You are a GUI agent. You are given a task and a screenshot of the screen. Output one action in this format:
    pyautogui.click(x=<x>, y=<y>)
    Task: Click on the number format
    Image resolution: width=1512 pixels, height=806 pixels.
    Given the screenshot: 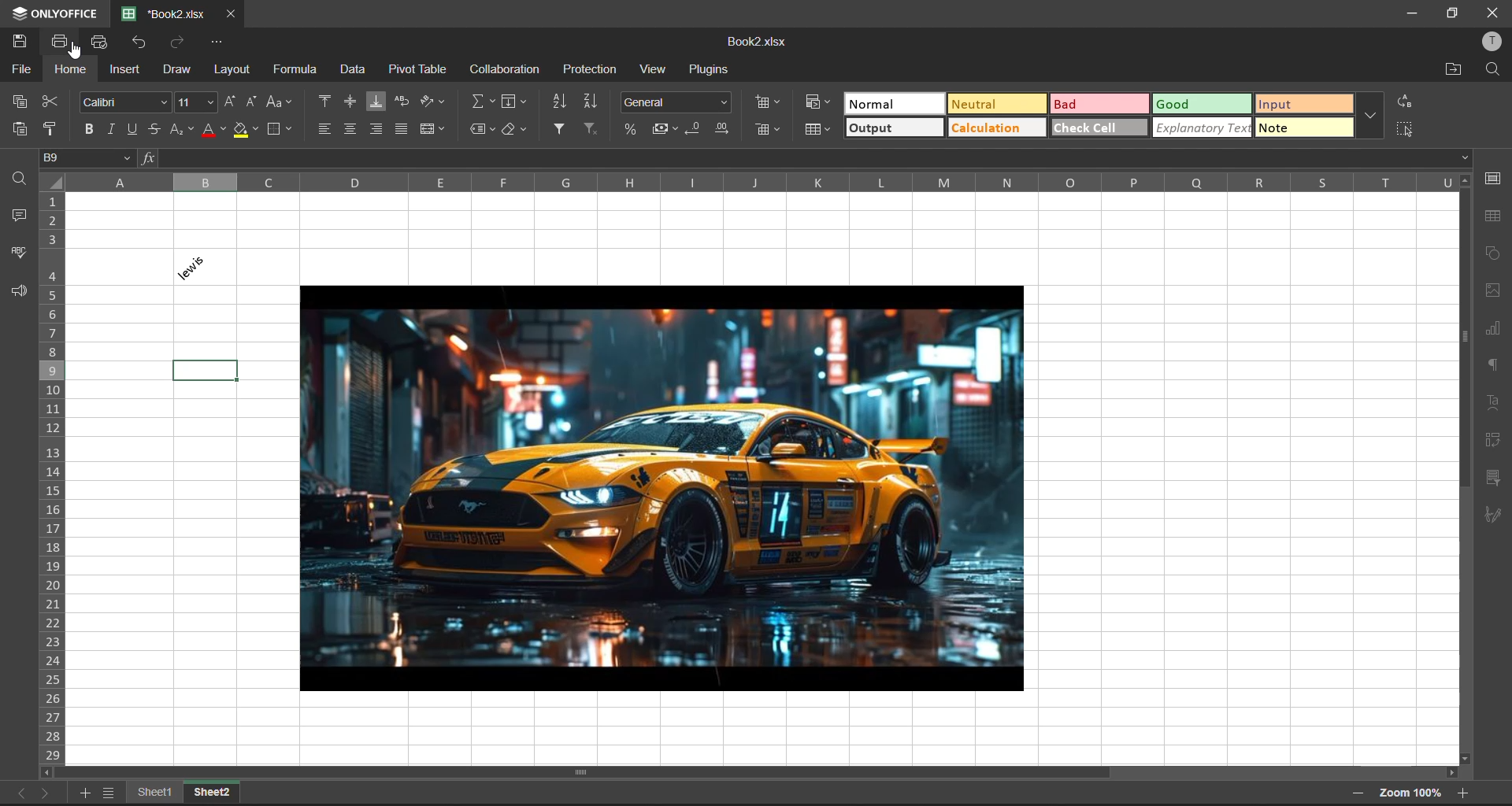 What is the action you would take?
    pyautogui.click(x=676, y=100)
    